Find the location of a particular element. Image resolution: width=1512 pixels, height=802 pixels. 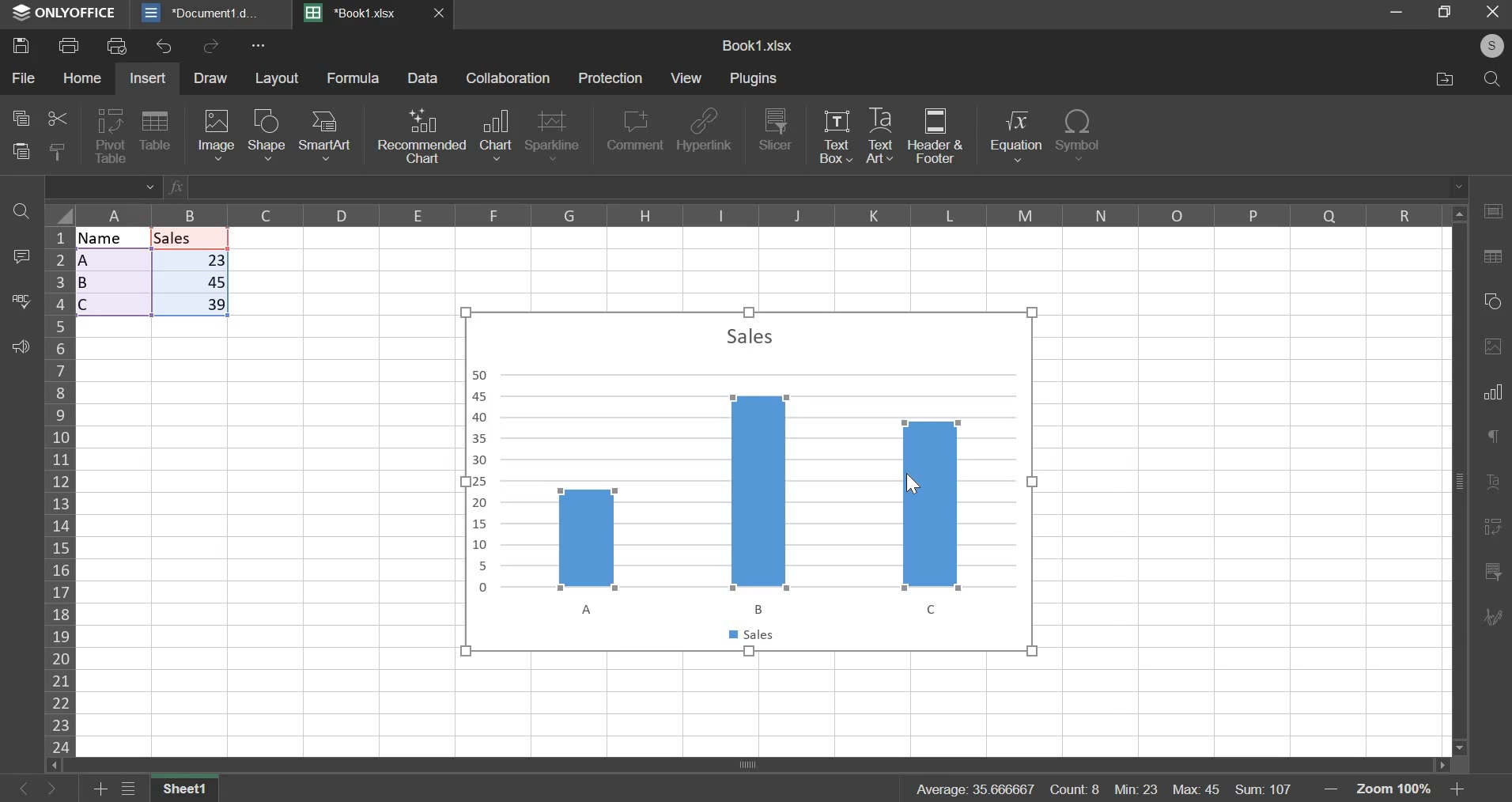

home is located at coordinates (82, 78).